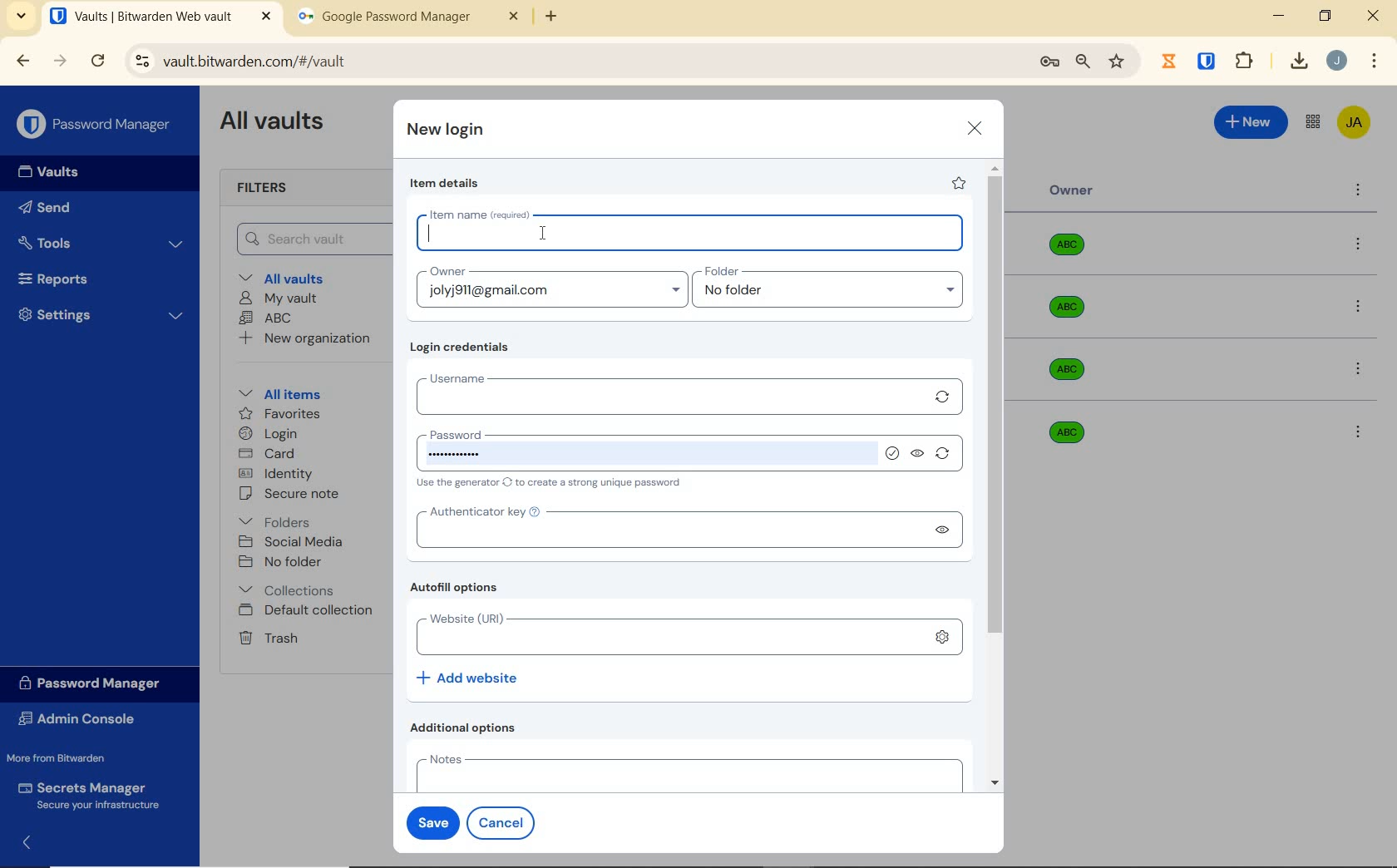  I want to click on Password Manager, so click(96, 126).